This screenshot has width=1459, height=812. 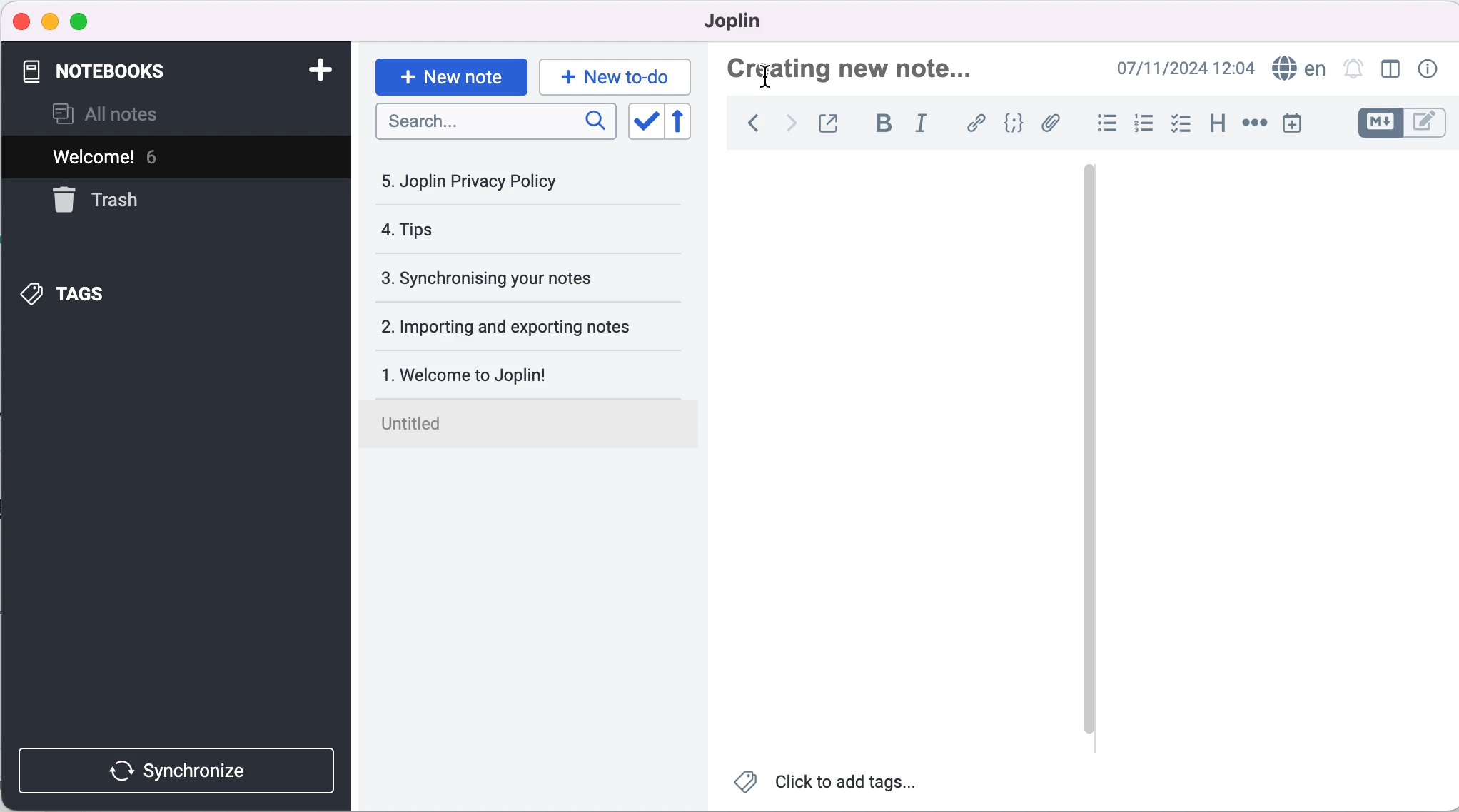 What do you see at coordinates (976, 123) in the screenshot?
I see `hyperlink` at bounding box center [976, 123].